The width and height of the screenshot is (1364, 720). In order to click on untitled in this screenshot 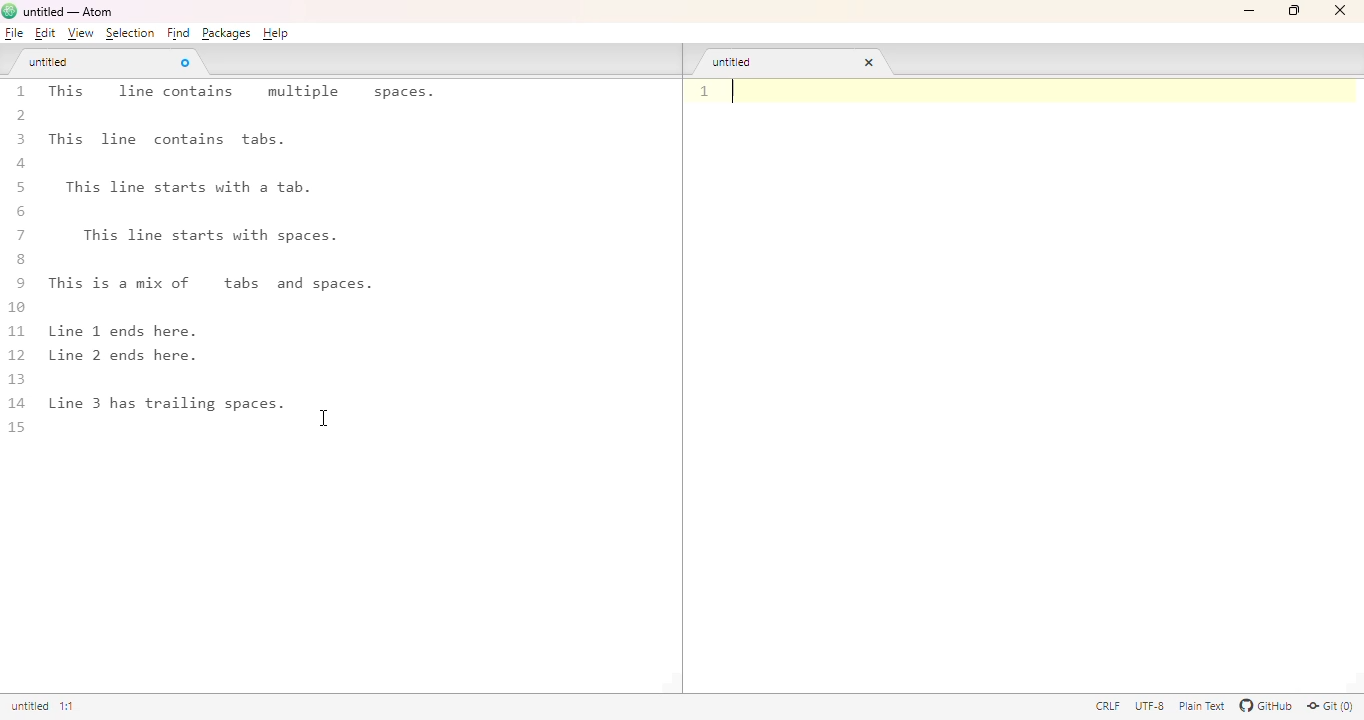, I will do `click(27, 707)`.